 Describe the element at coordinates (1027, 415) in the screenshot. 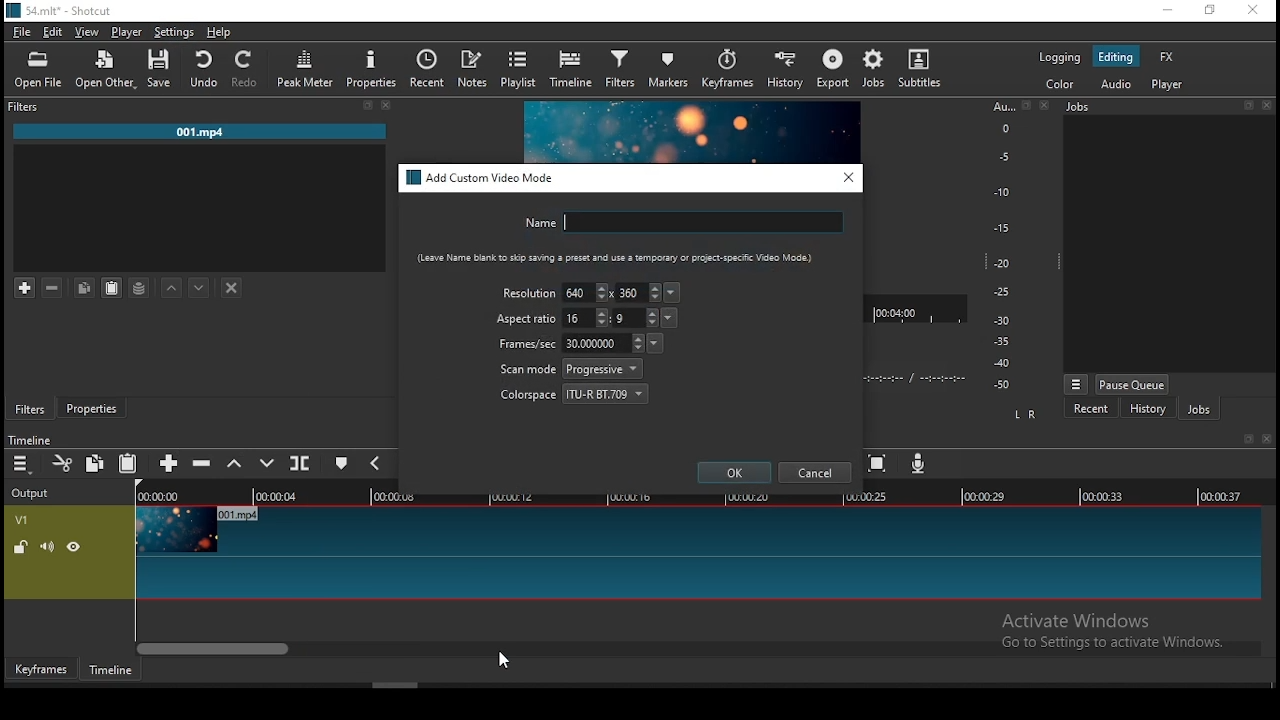

I see `L R` at that location.